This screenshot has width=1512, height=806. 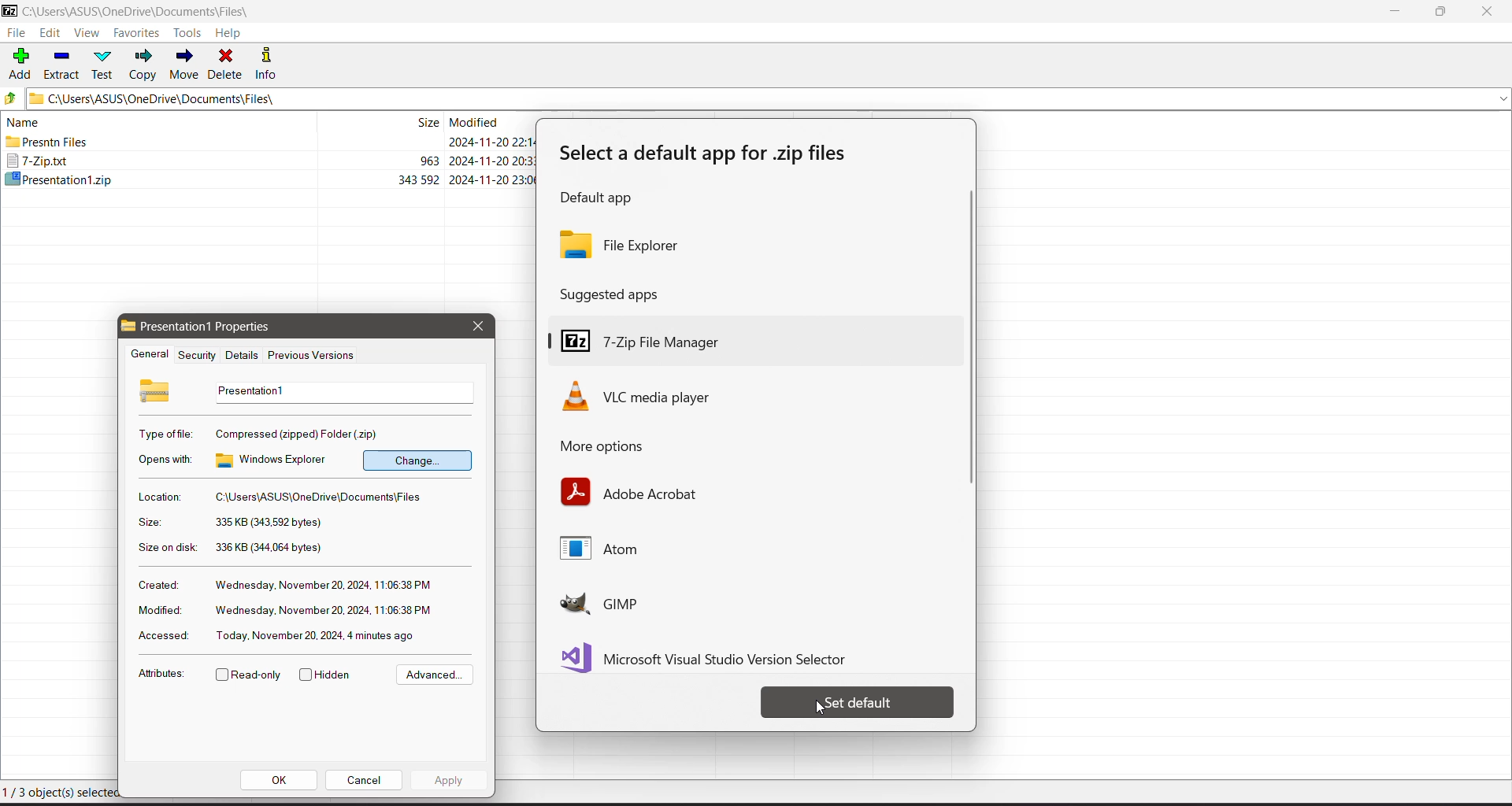 What do you see at coordinates (324, 611) in the screenshot?
I see `Modified Day, Date, Year and time` at bounding box center [324, 611].